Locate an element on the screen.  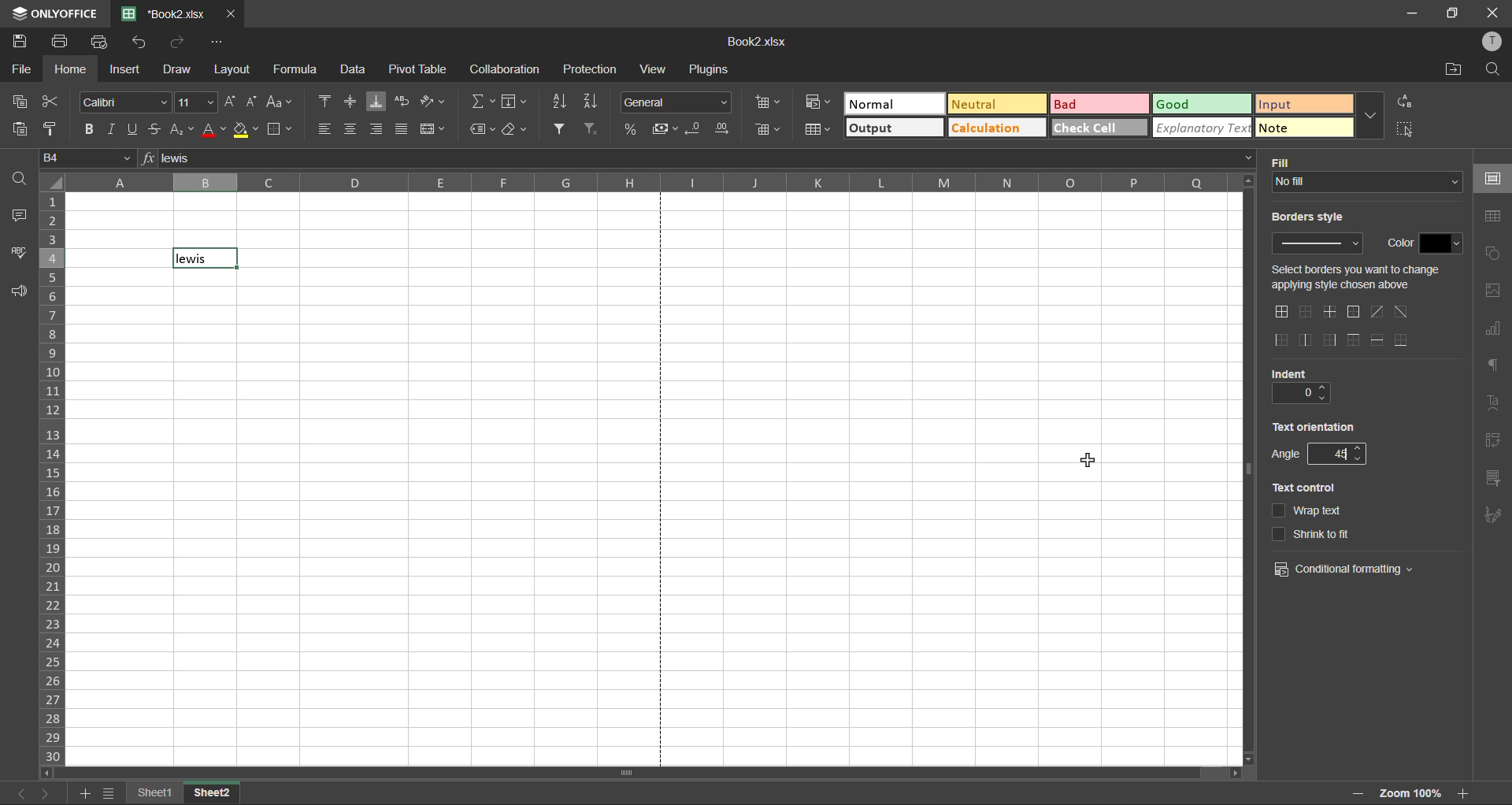
next is located at coordinates (46, 793).